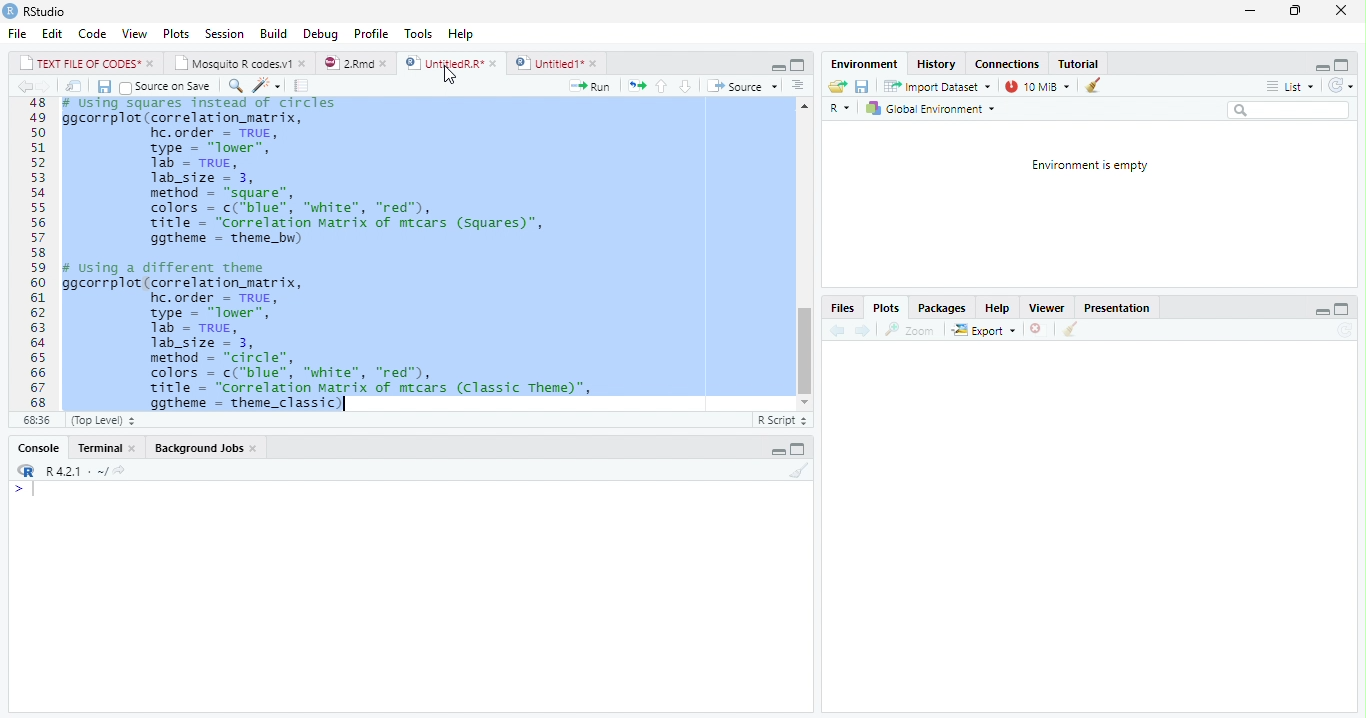  I want to click on  Run, so click(590, 87).